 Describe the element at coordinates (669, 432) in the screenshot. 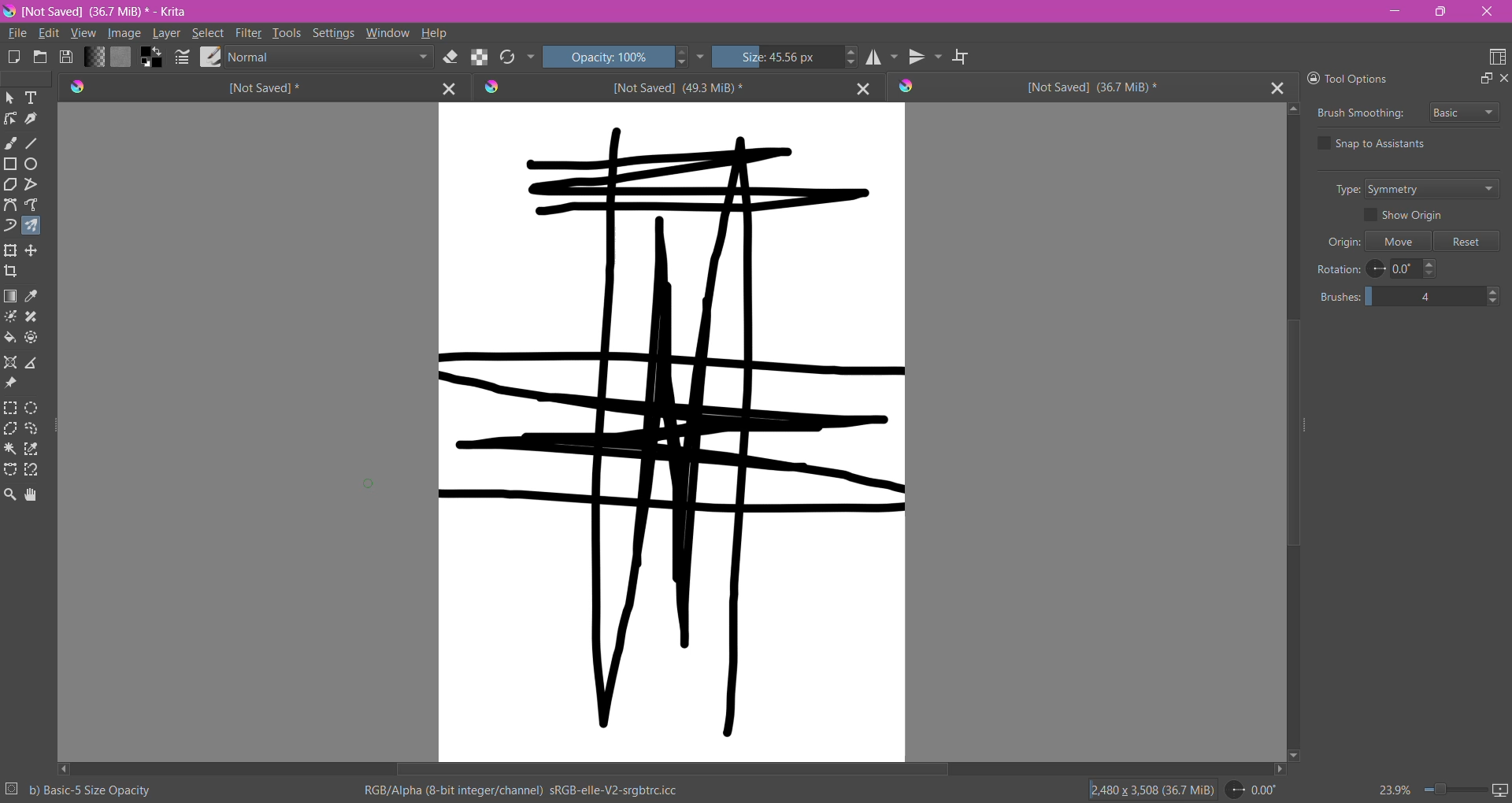

I see `Canvas with brushstrokes` at that location.